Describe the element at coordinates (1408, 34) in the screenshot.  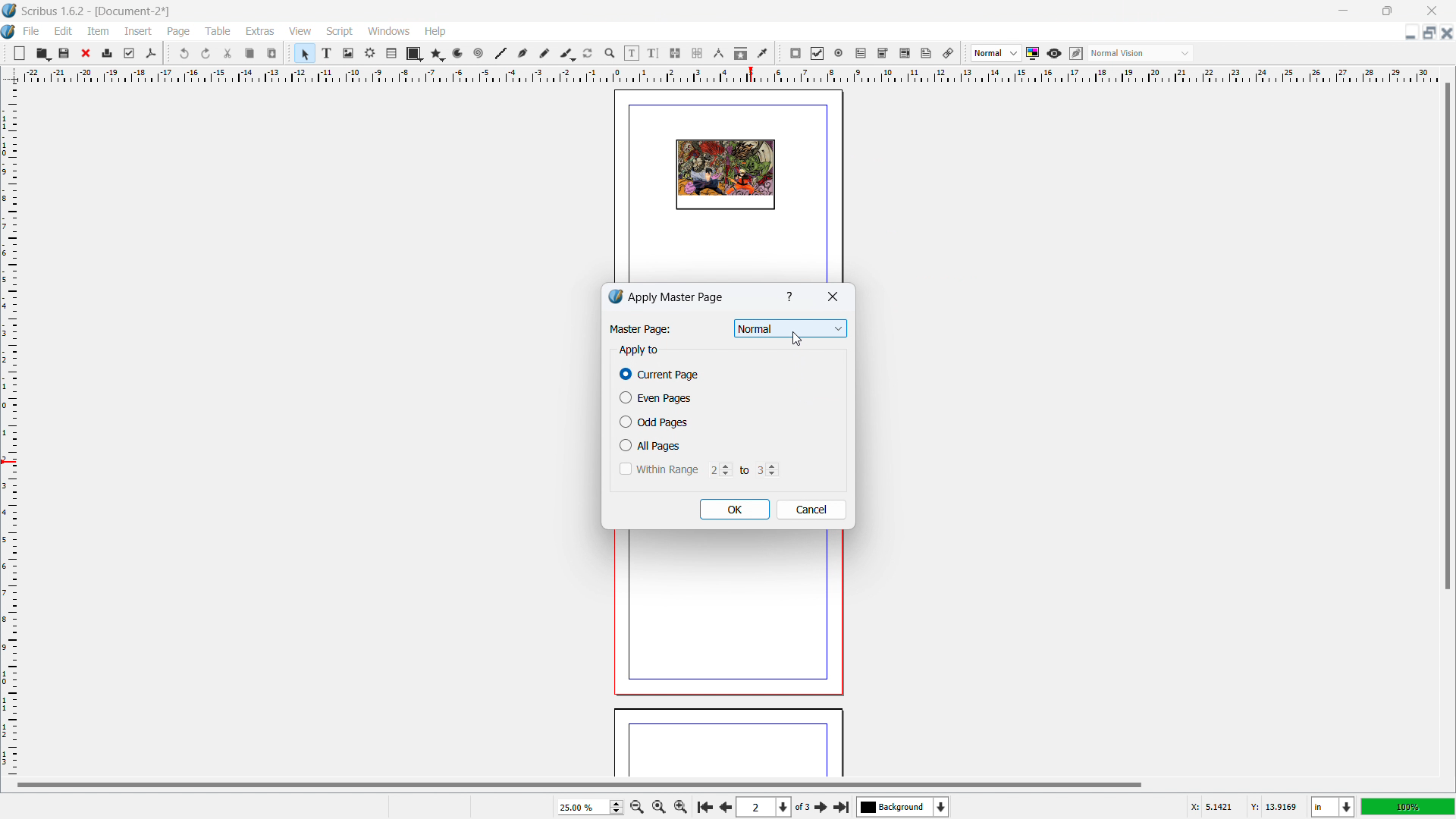
I see `minimize document` at that location.